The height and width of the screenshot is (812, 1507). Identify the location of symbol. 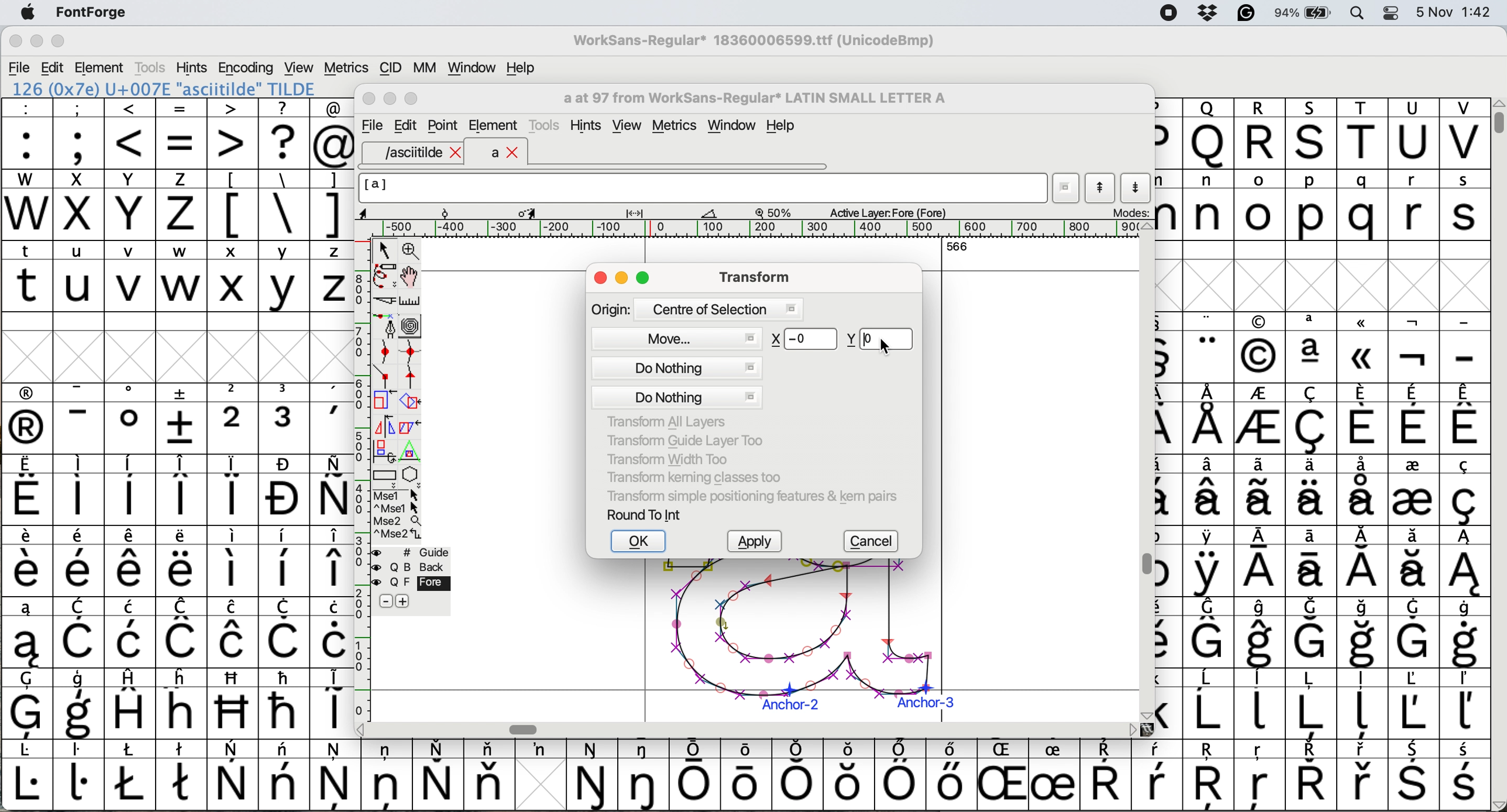
(1315, 489).